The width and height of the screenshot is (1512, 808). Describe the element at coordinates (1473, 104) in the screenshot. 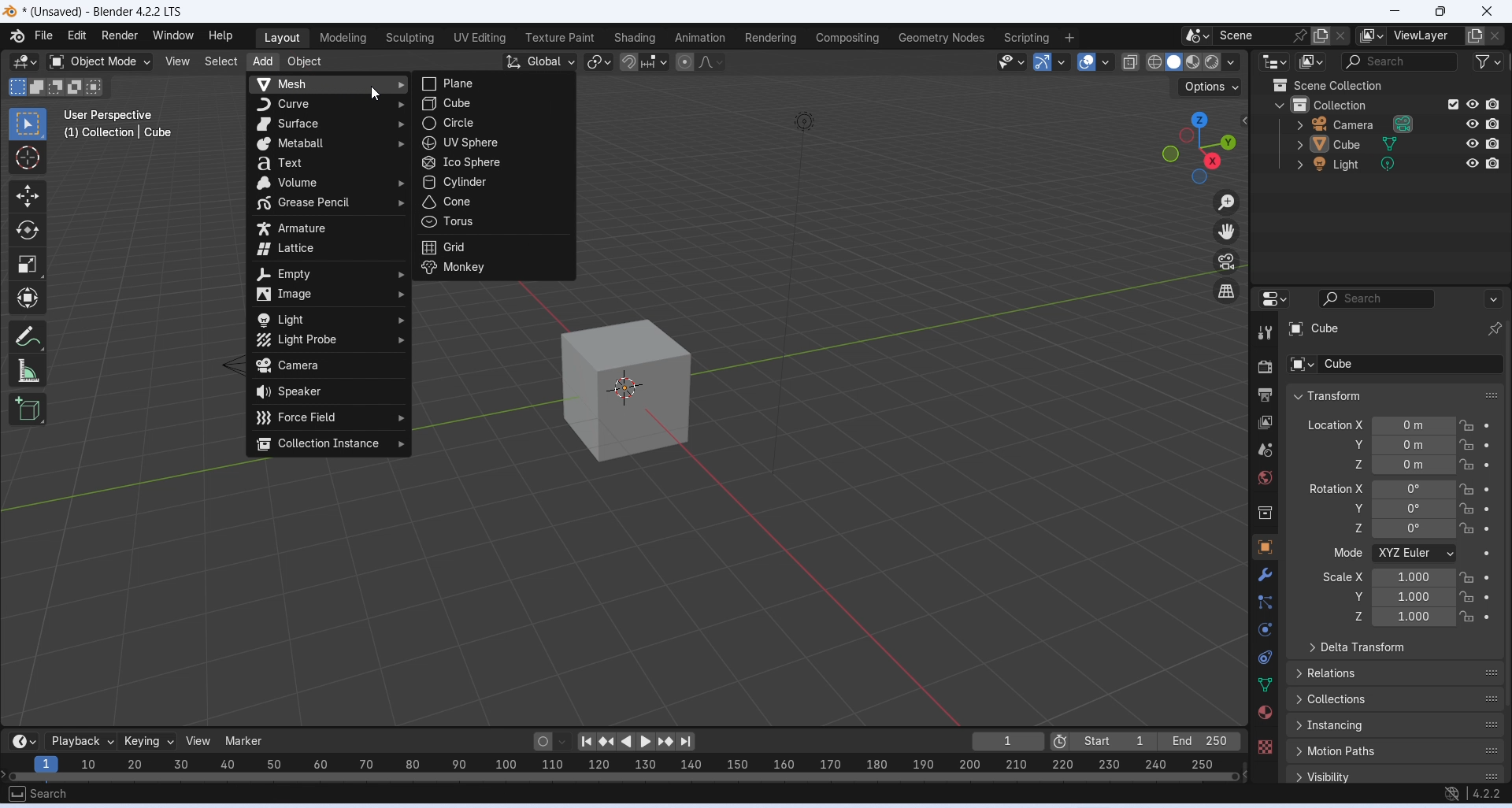

I see `hide in viewport` at that location.